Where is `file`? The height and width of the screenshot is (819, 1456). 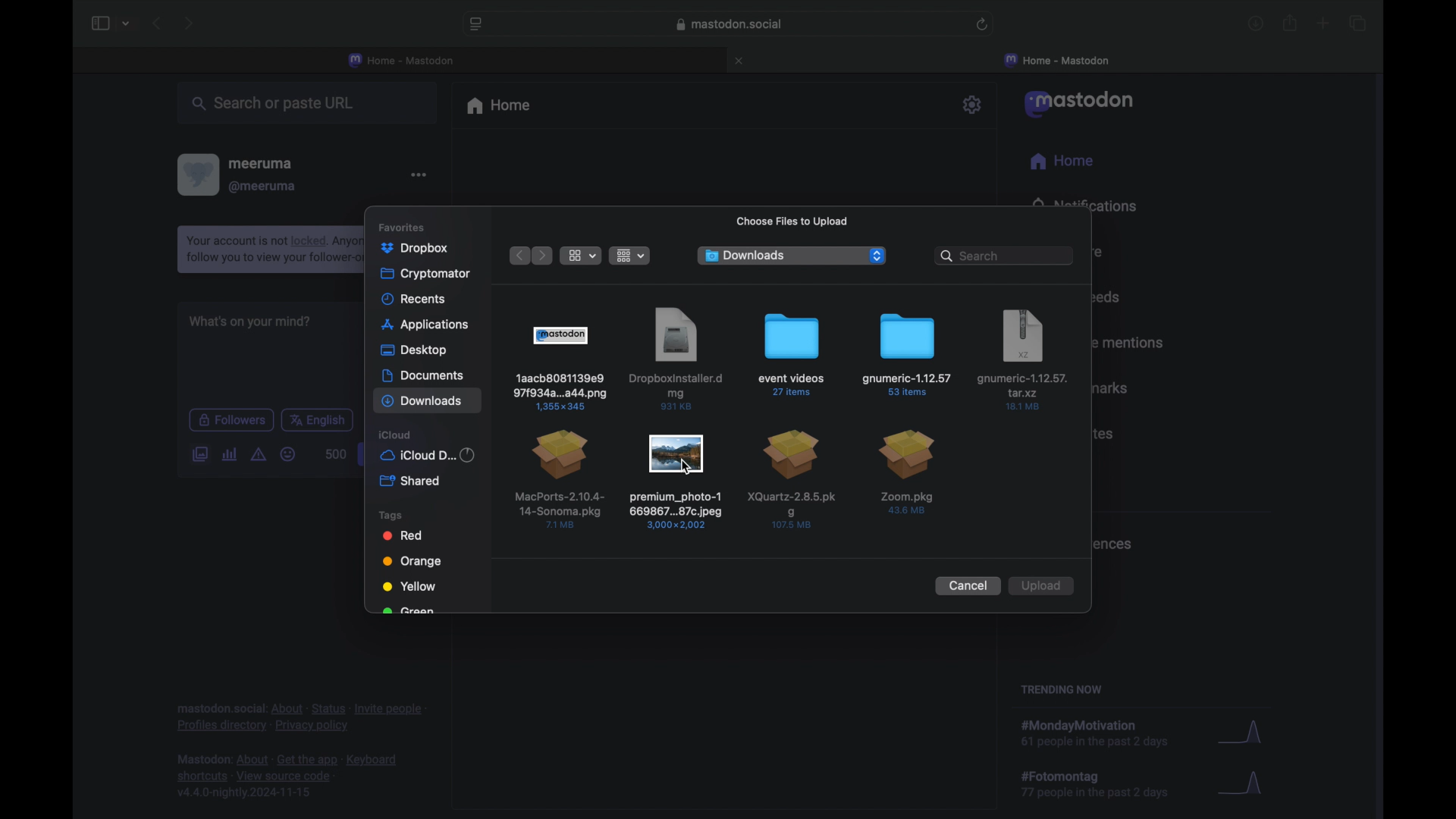 file is located at coordinates (1024, 360).